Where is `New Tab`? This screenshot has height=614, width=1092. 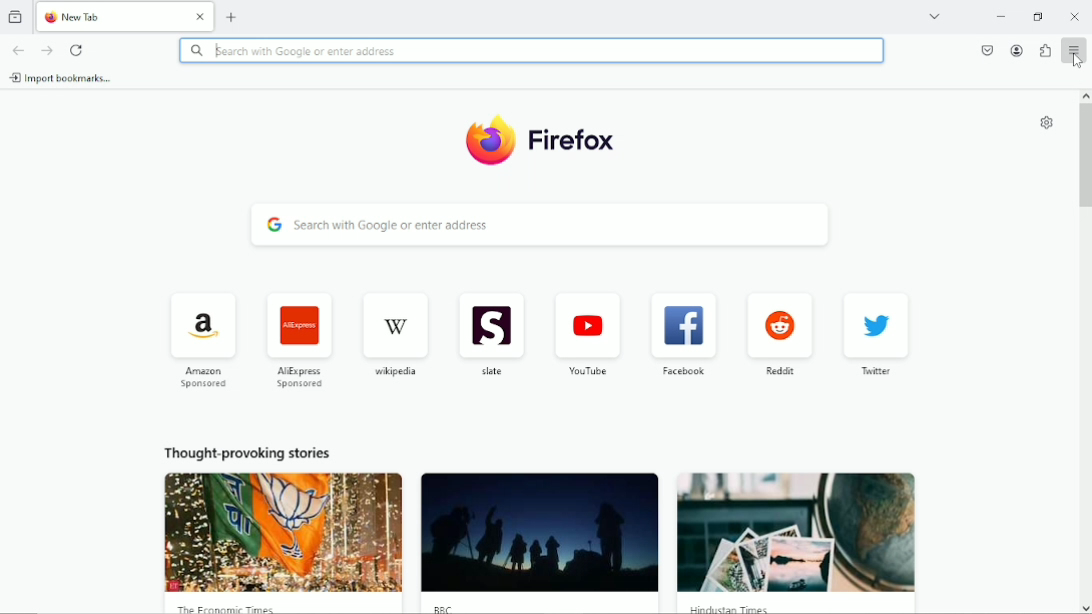 New Tab is located at coordinates (111, 16).